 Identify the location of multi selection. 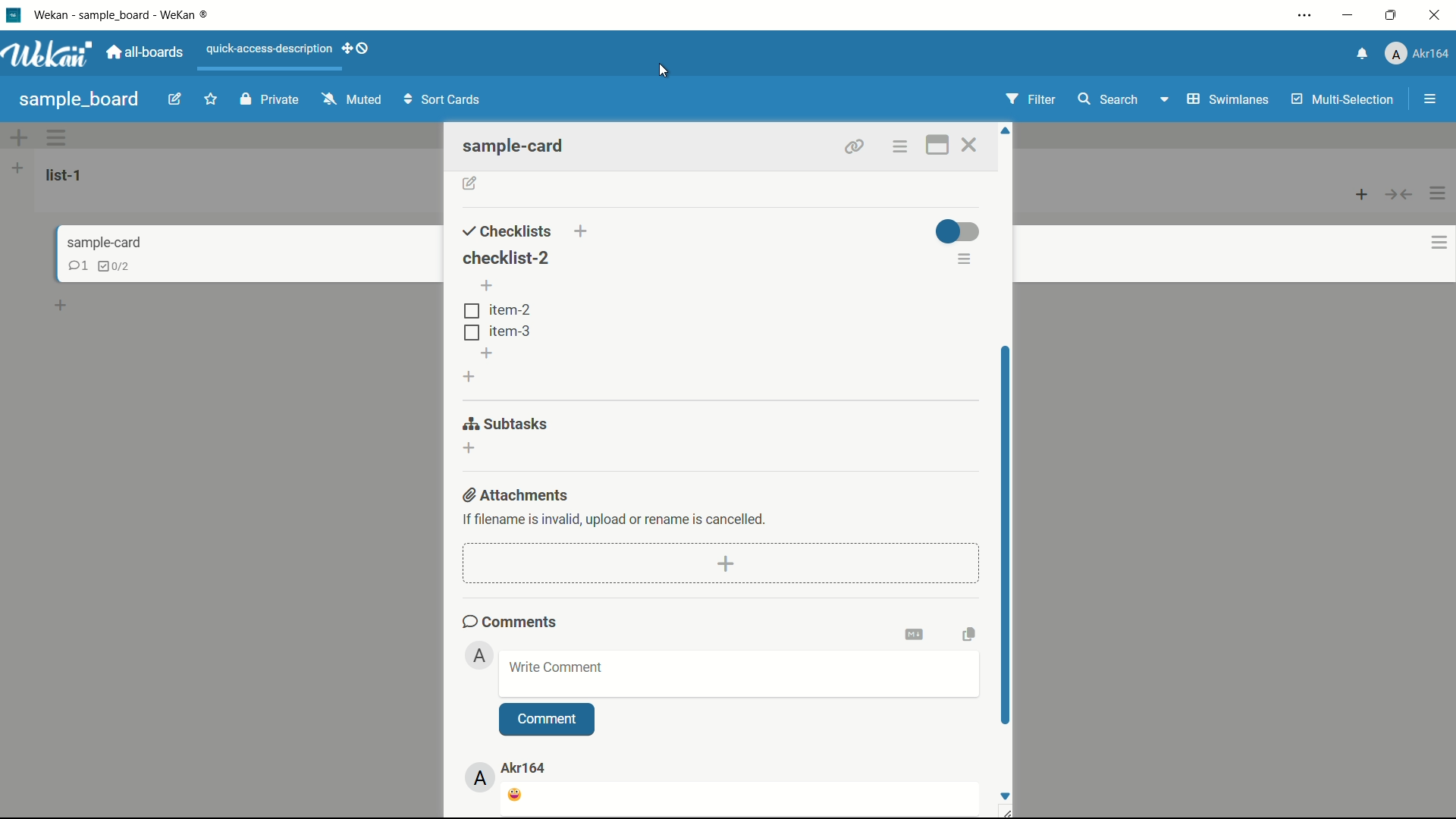
(1341, 101).